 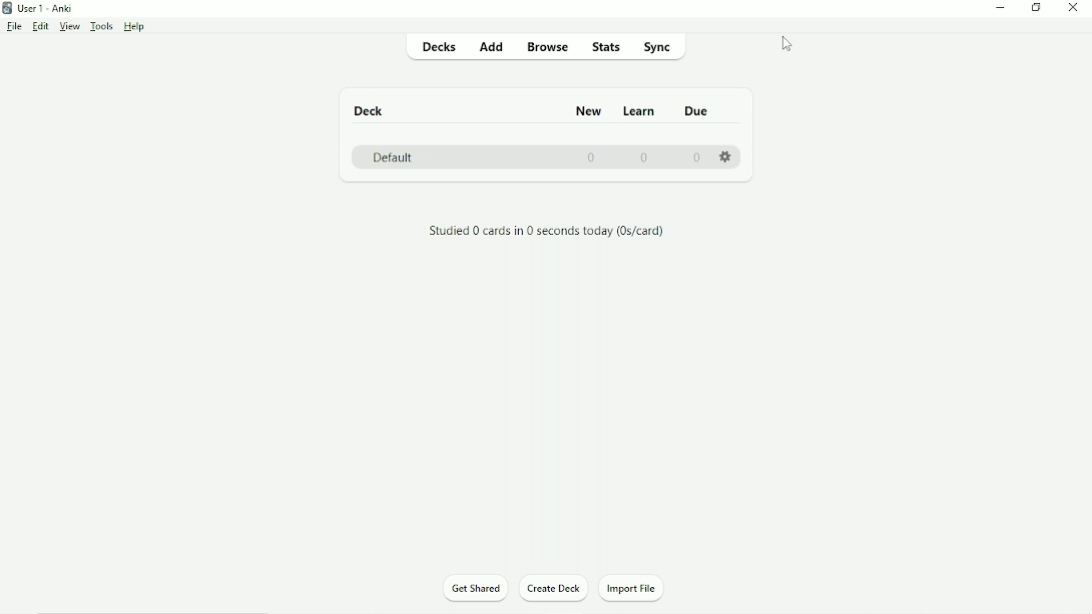 I want to click on 0, so click(x=589, y=158).